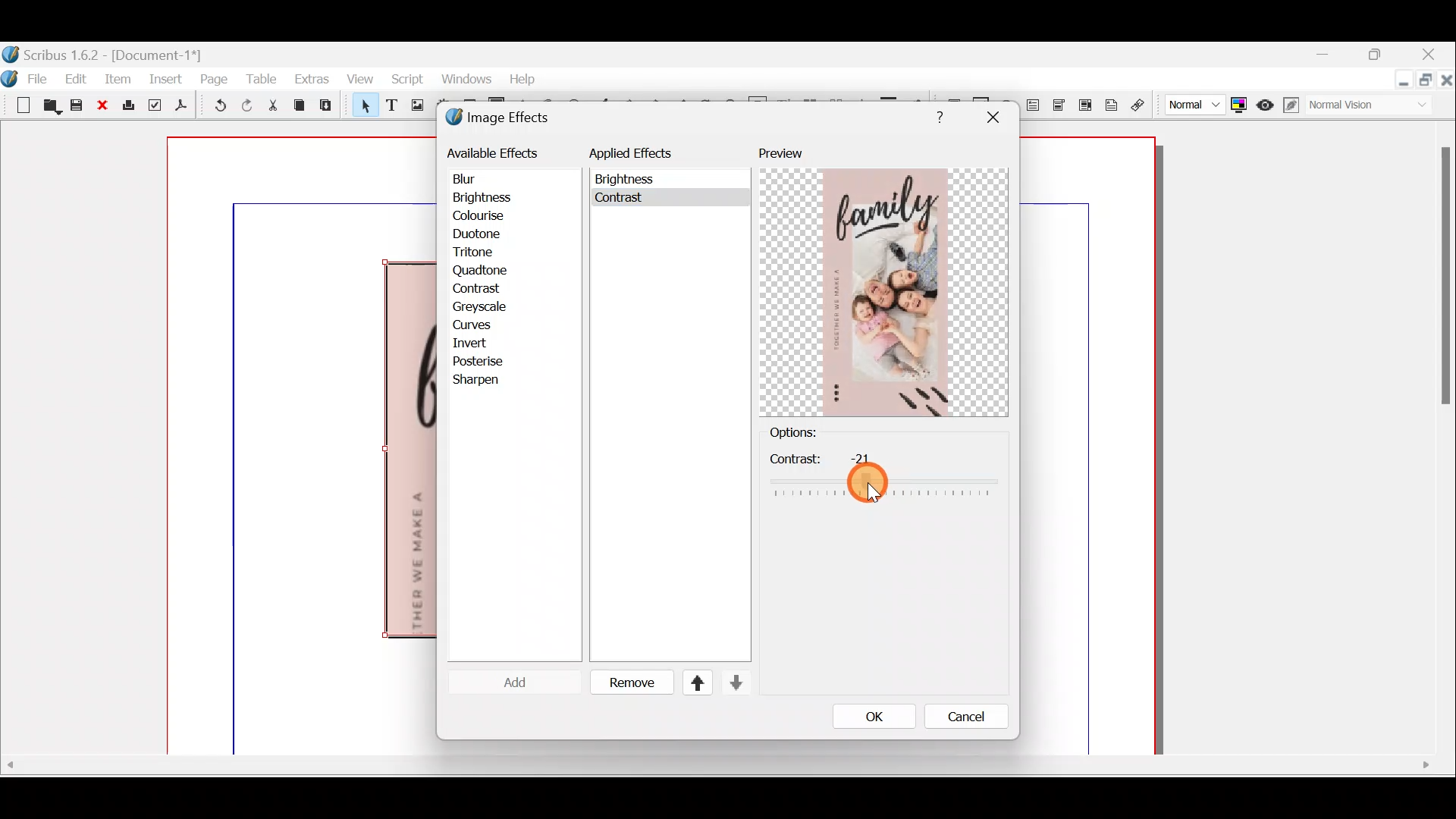 This screenshot has width=1456, height=819. I want to click on Blur, so click(479, 180).